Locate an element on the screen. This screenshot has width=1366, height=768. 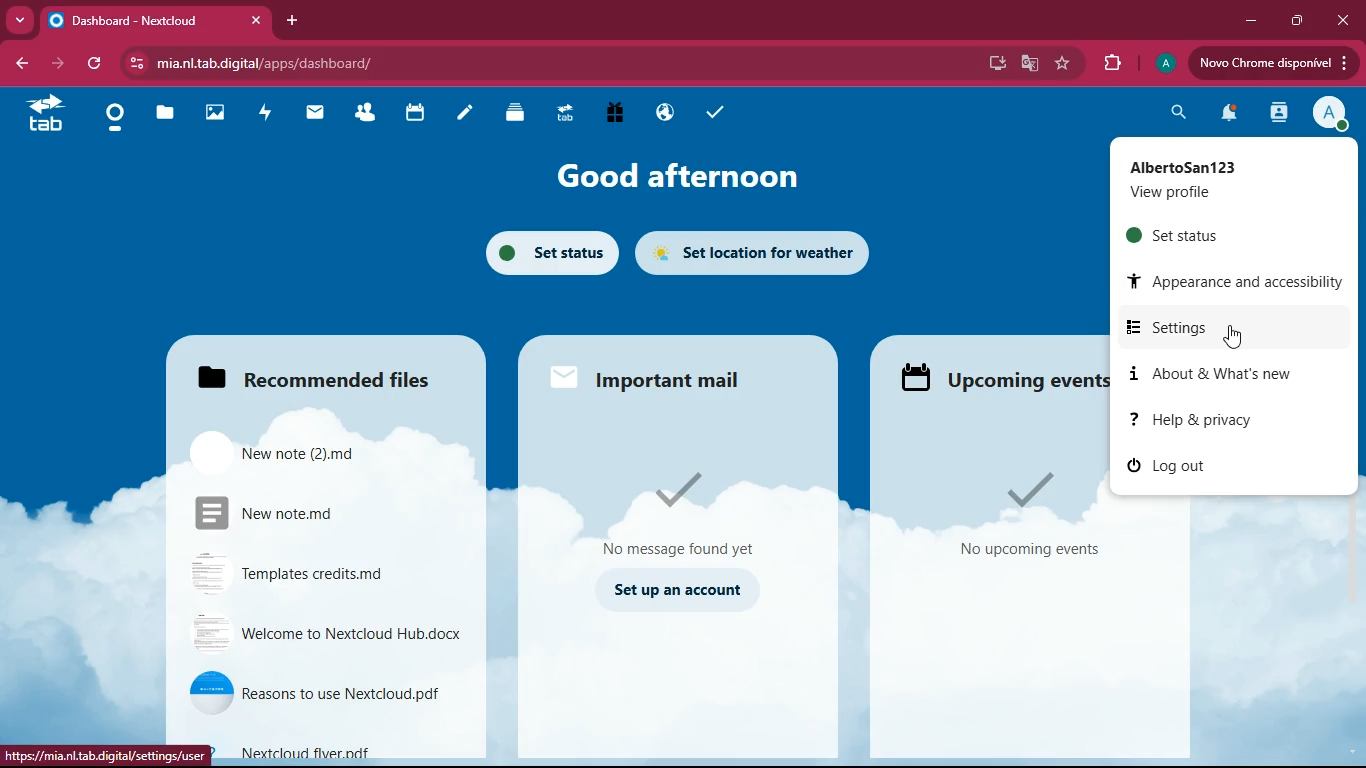
search is located at coordinates (1176, 111).